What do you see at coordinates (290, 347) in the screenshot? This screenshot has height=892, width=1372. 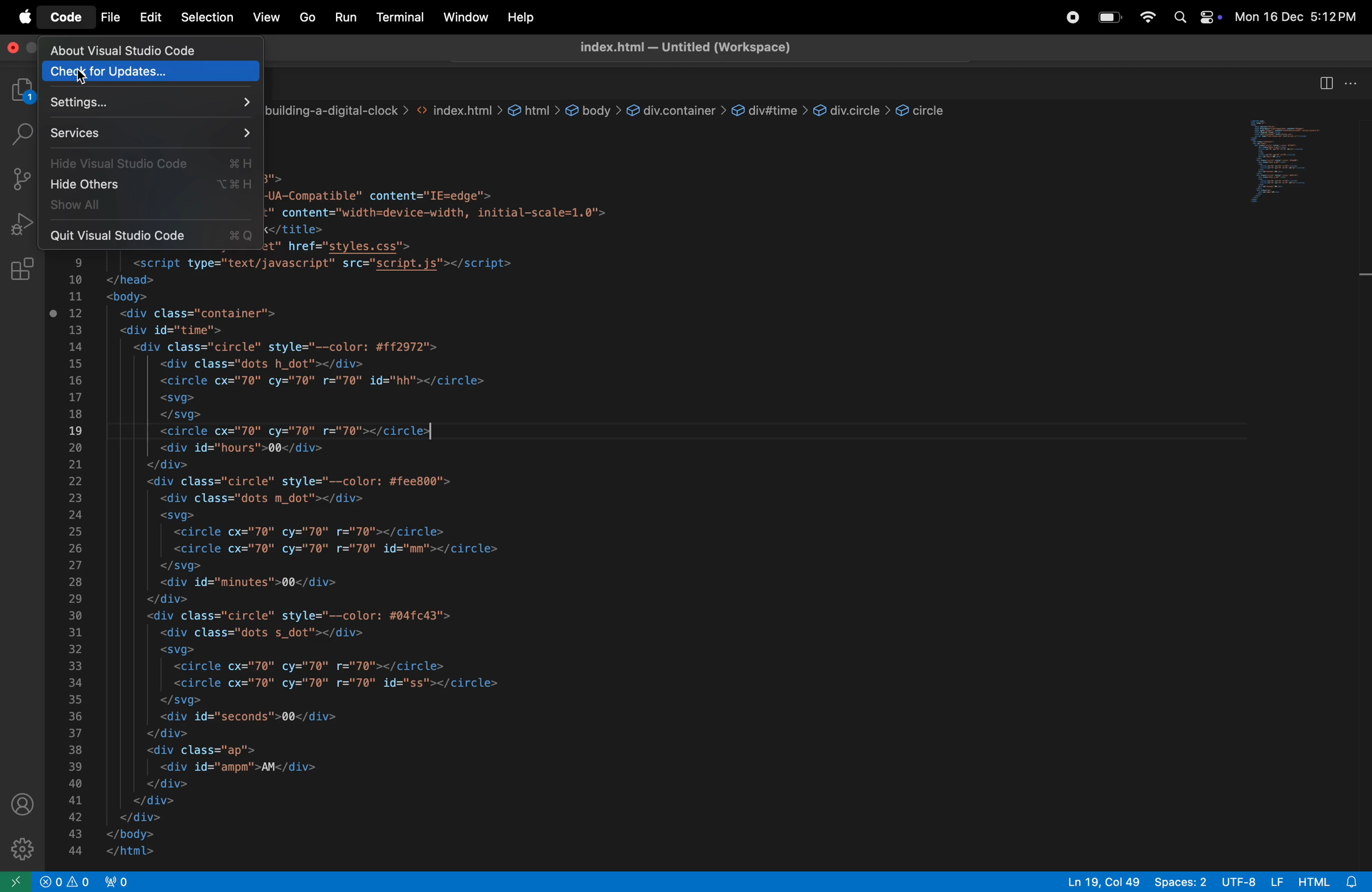 I see `<div class="circle" style="--color: #ff2972">` at bounding box center [290, 347].